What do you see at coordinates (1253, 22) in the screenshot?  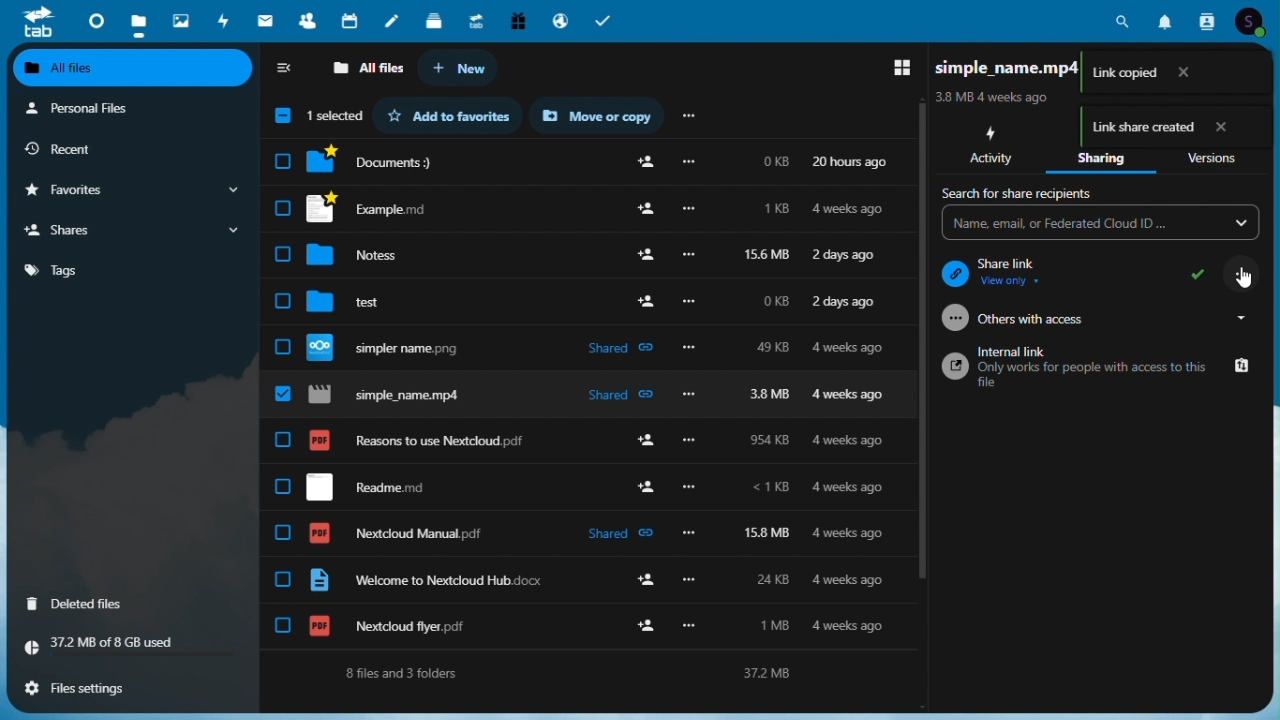 I see `Account icon` at bounding box center [1253, 22].